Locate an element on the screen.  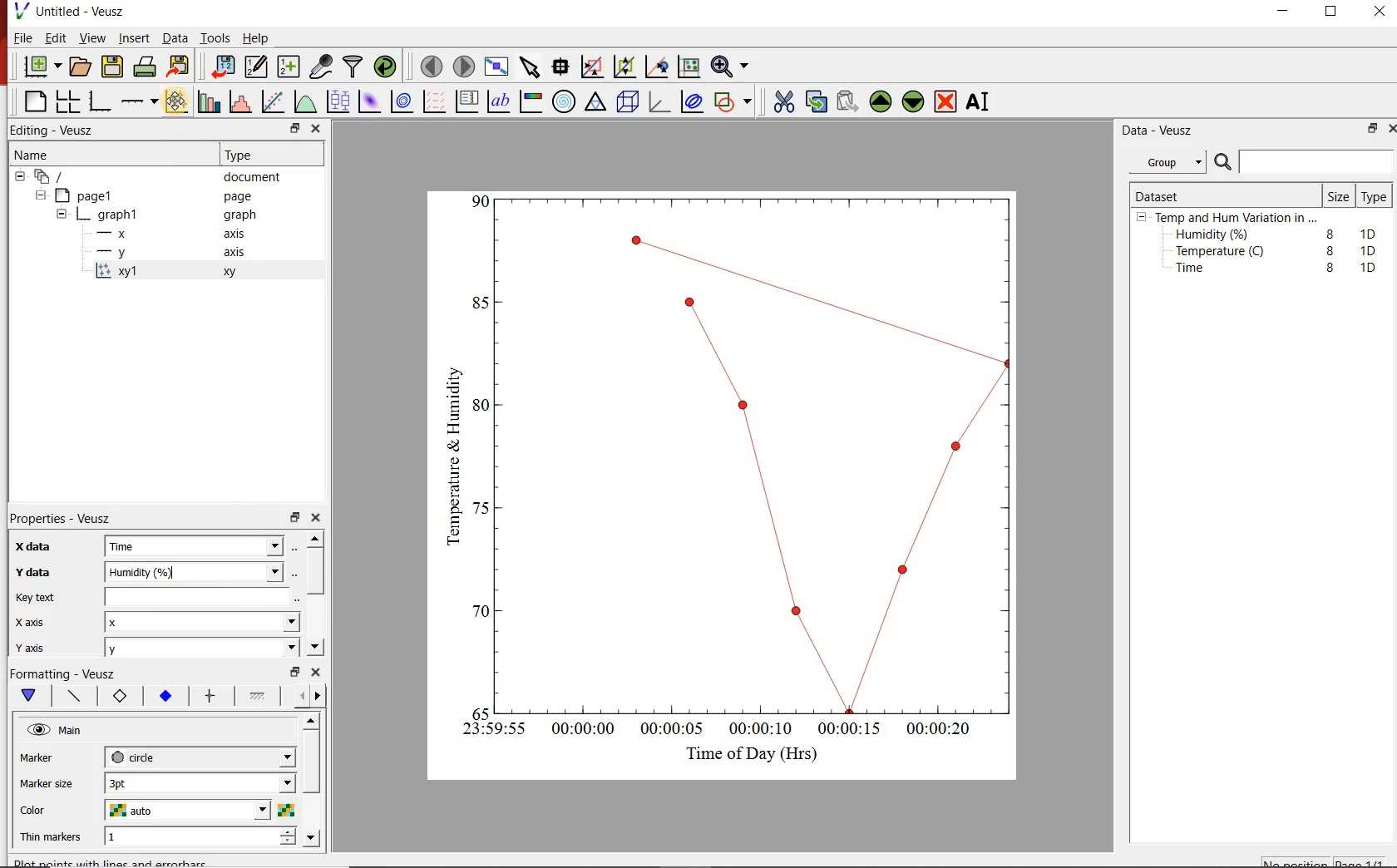
Plot points with lines and error bars is located at coordinates (176, 100).